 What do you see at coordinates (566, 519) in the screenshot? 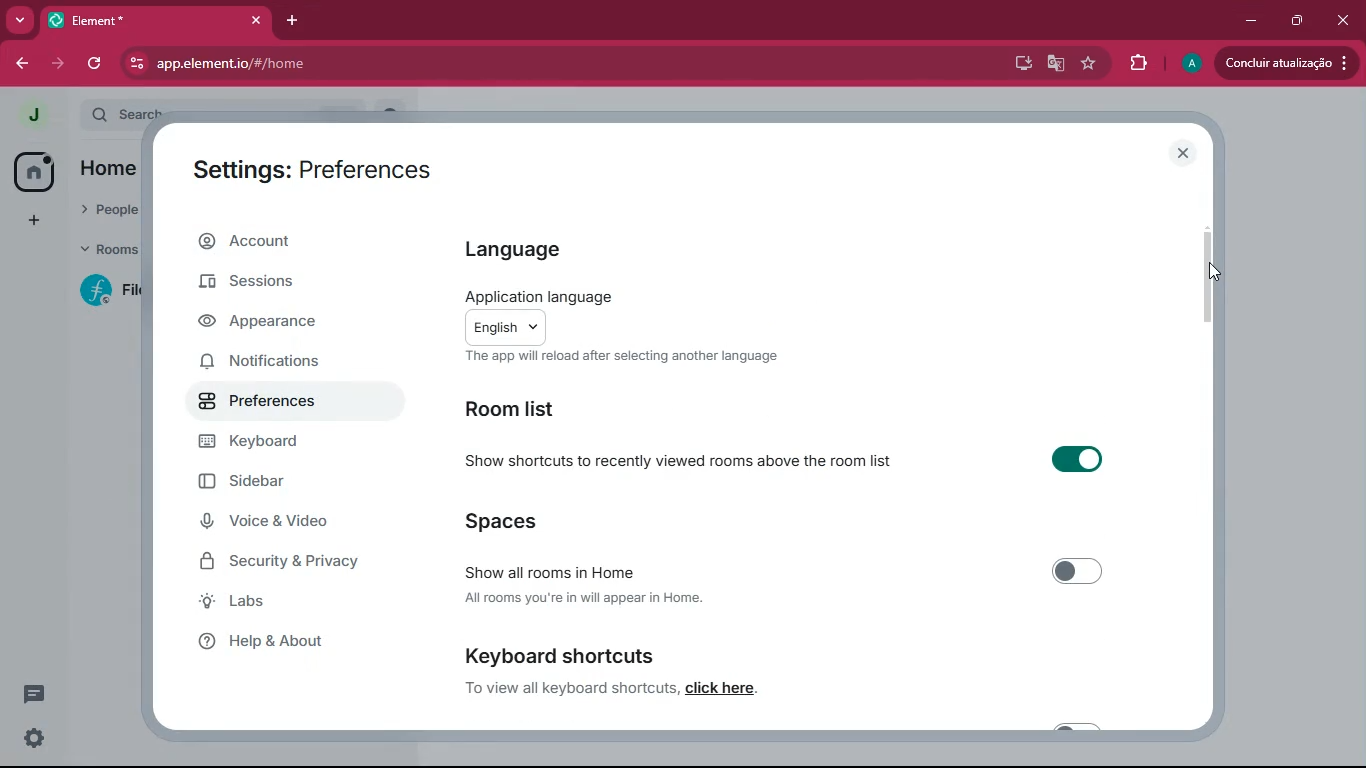
I see `spaces` at bounding box center [566, 519].